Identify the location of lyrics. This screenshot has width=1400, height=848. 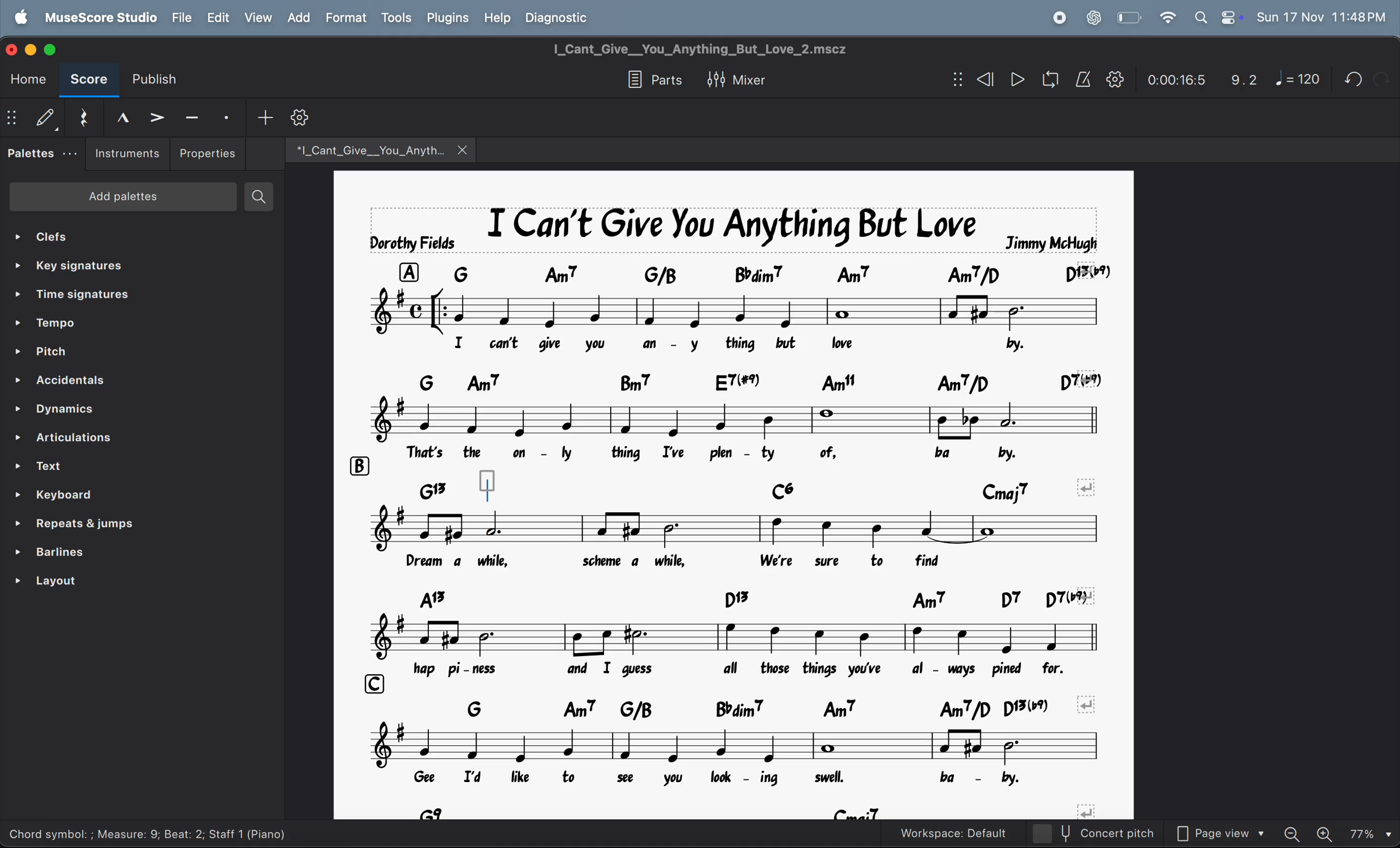
(714, 453).